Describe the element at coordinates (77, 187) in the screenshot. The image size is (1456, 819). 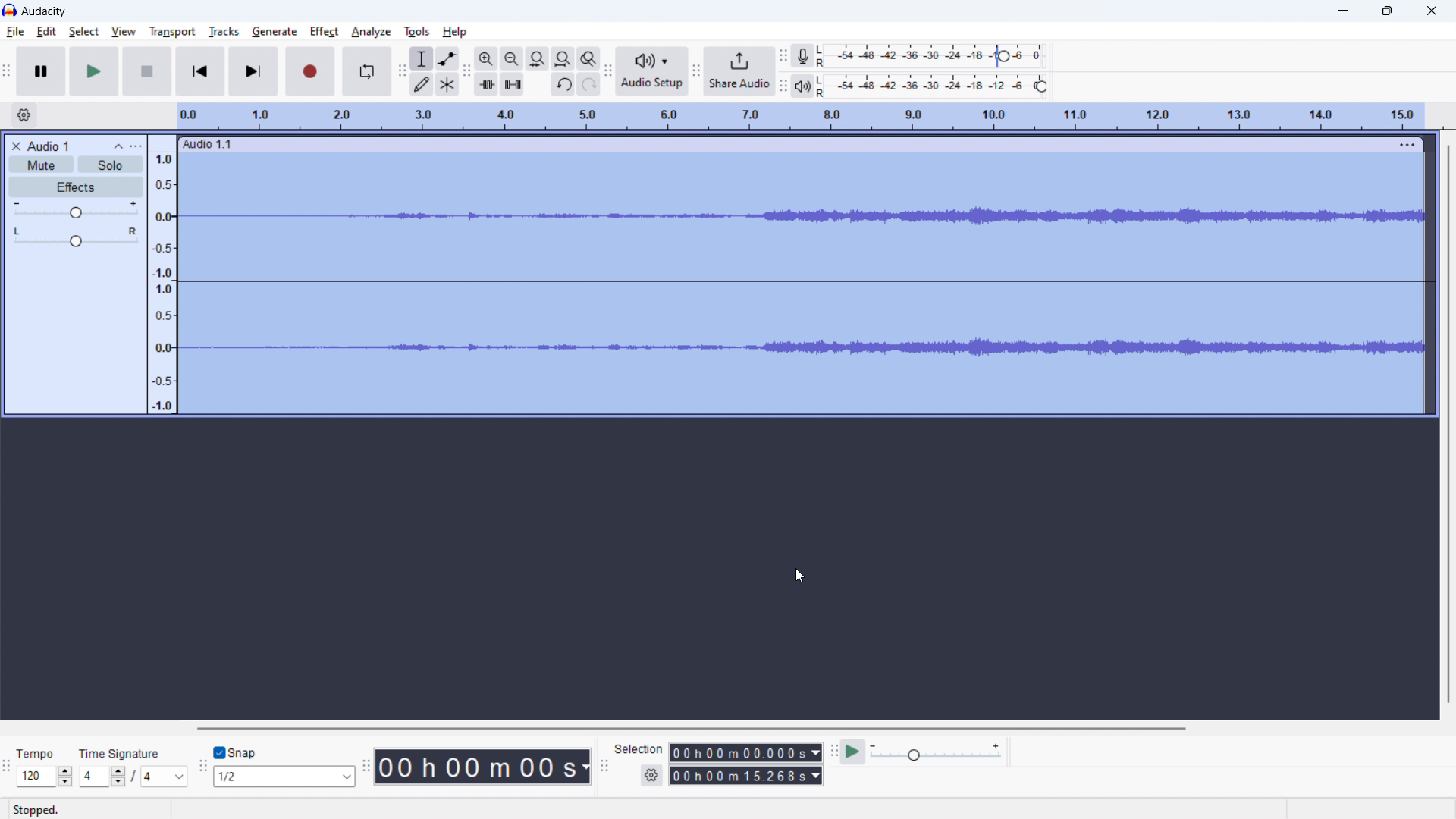
I see `effects` at that location.